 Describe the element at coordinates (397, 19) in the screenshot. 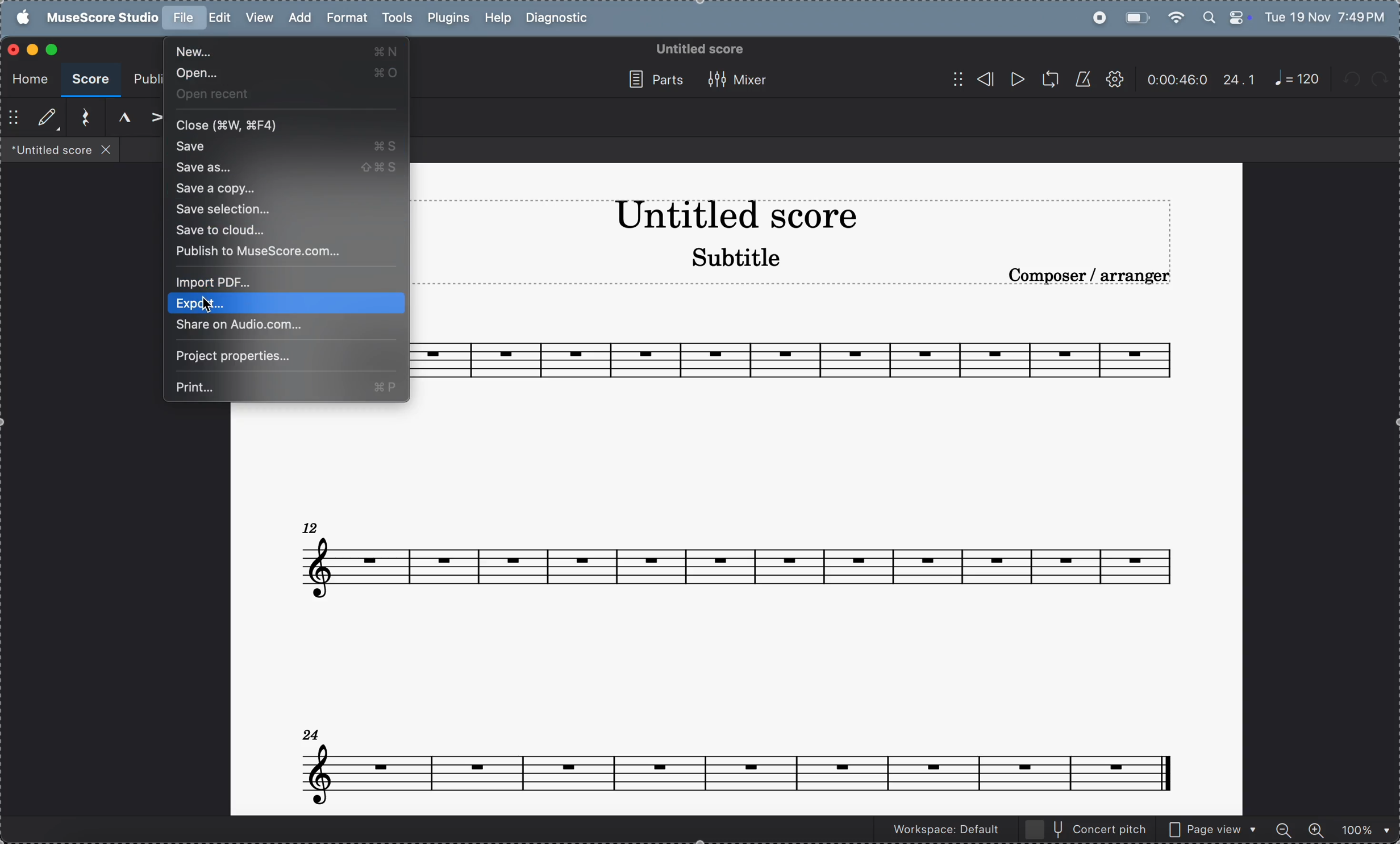

I see `tools` at that location.